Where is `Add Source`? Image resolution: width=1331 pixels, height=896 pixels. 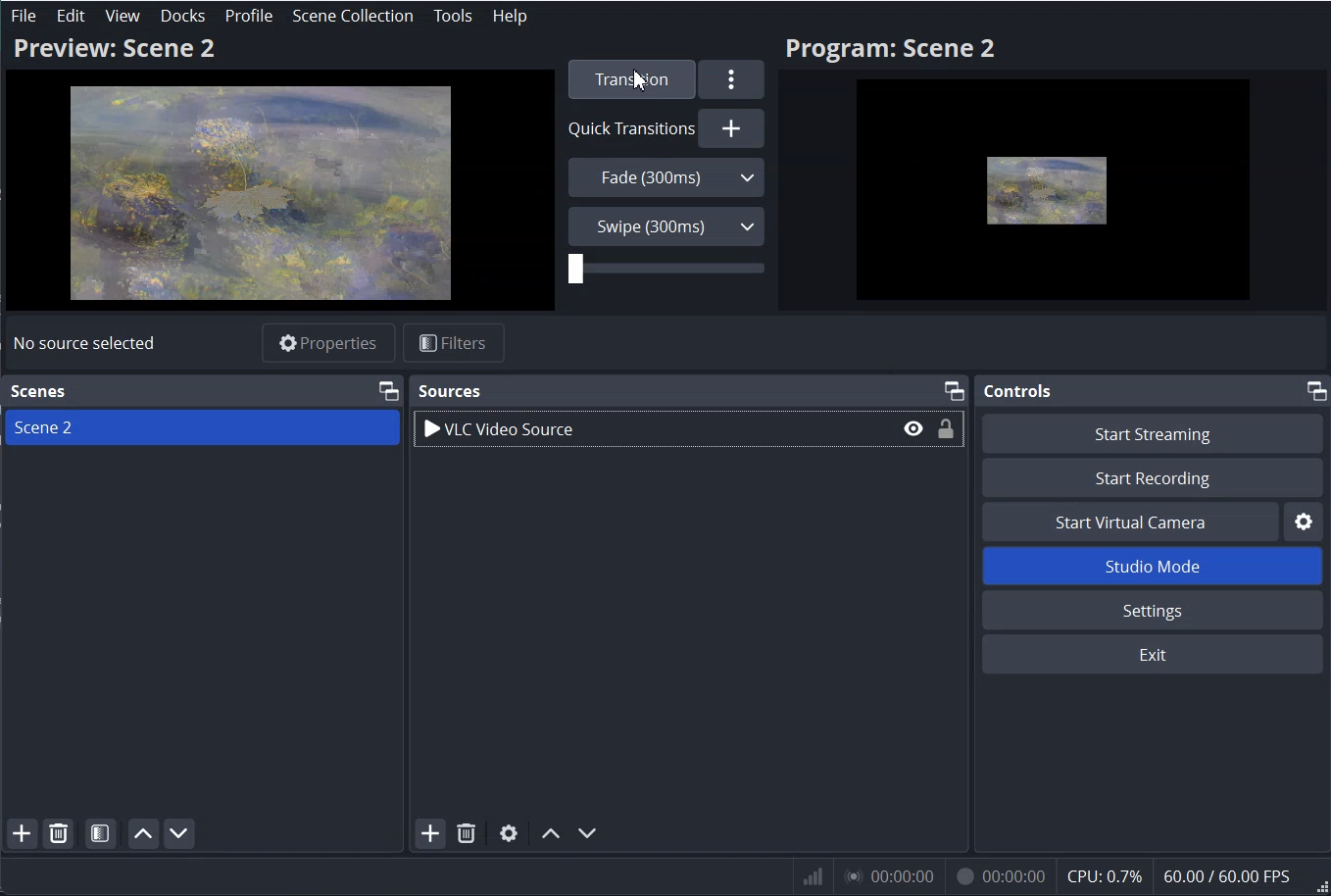
Add Source is located at coordinates (428, 833).